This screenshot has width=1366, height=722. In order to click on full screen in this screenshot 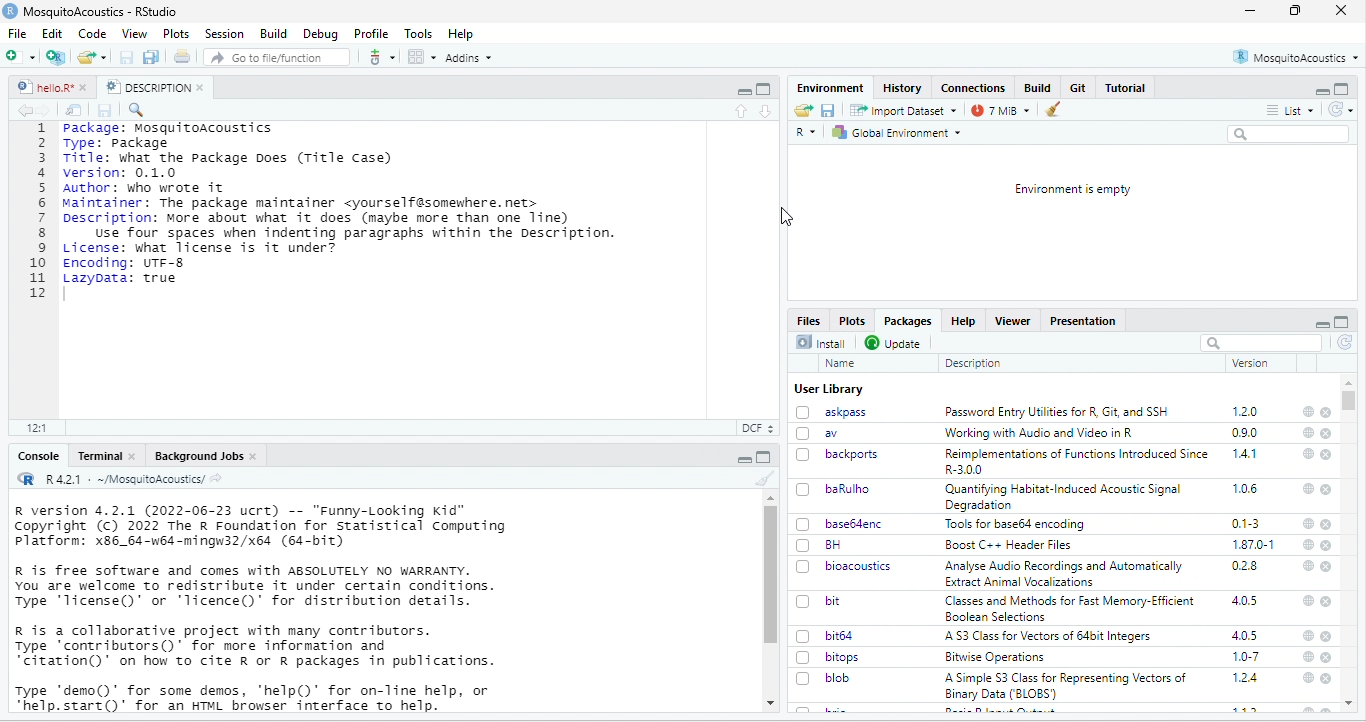, I will do `click(764, 89)`.